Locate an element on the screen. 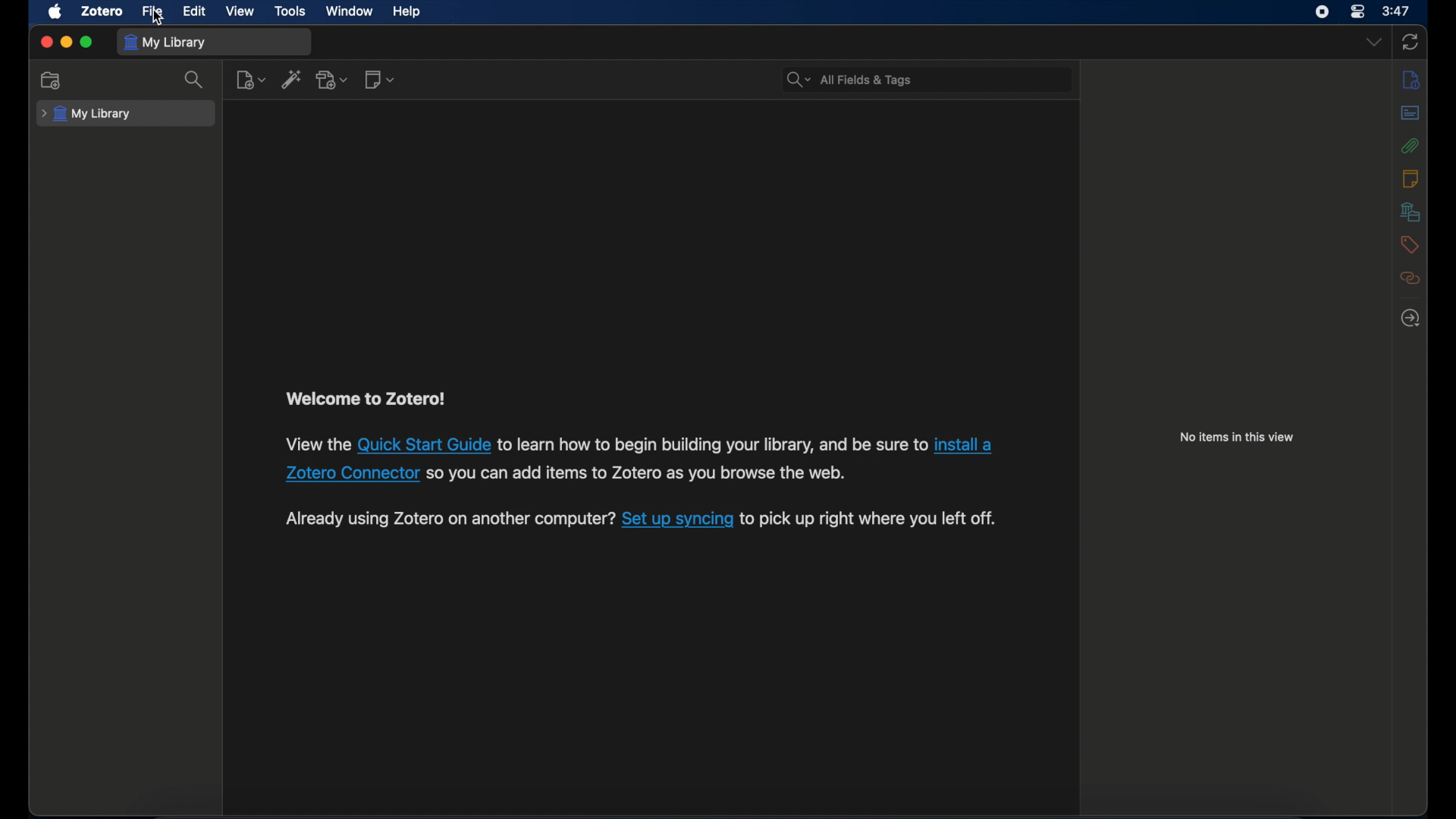 The width and height of the screenshot is (1456, 819). abstract is located at coordinates (1411, 113).